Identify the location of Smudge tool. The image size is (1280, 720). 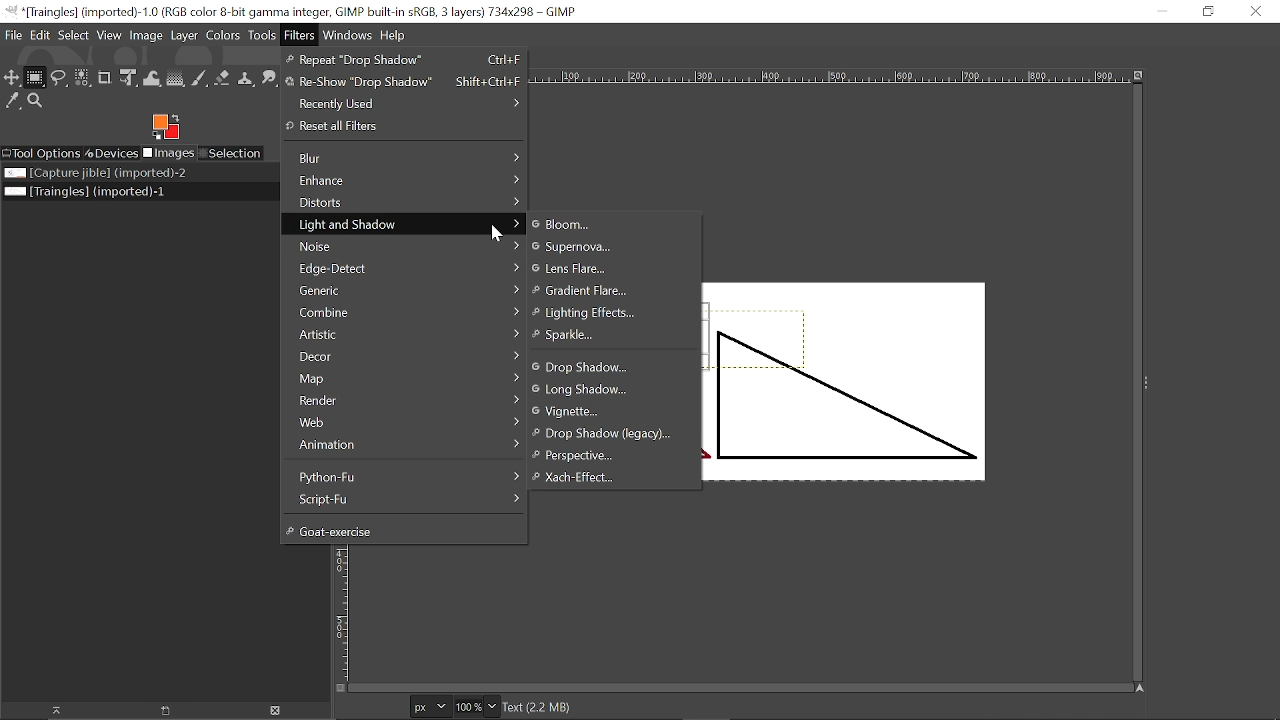
(270, 80).